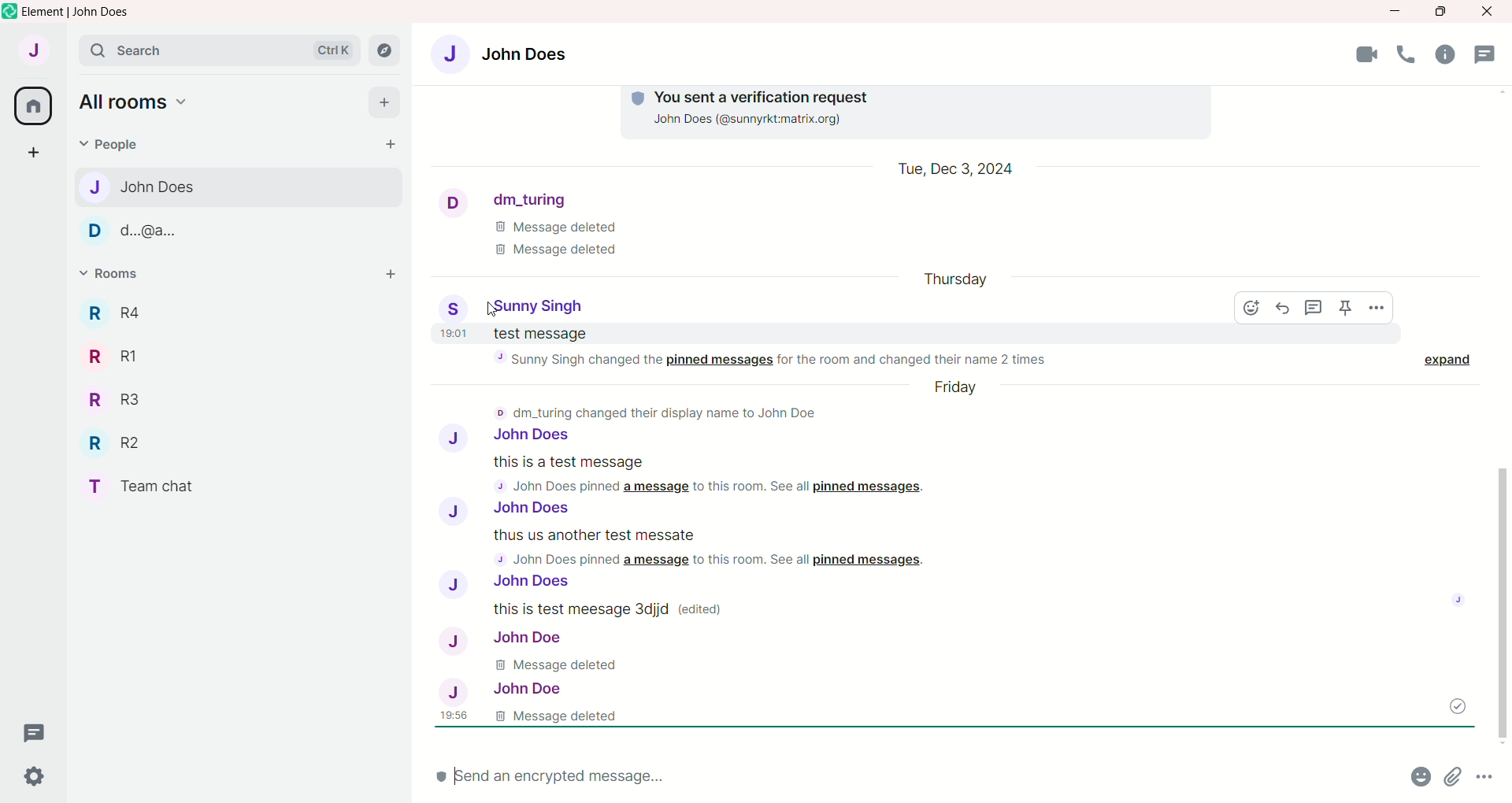 This screenshot has height=803, width=1512. I want to click on seen status, so click(1458, 599).